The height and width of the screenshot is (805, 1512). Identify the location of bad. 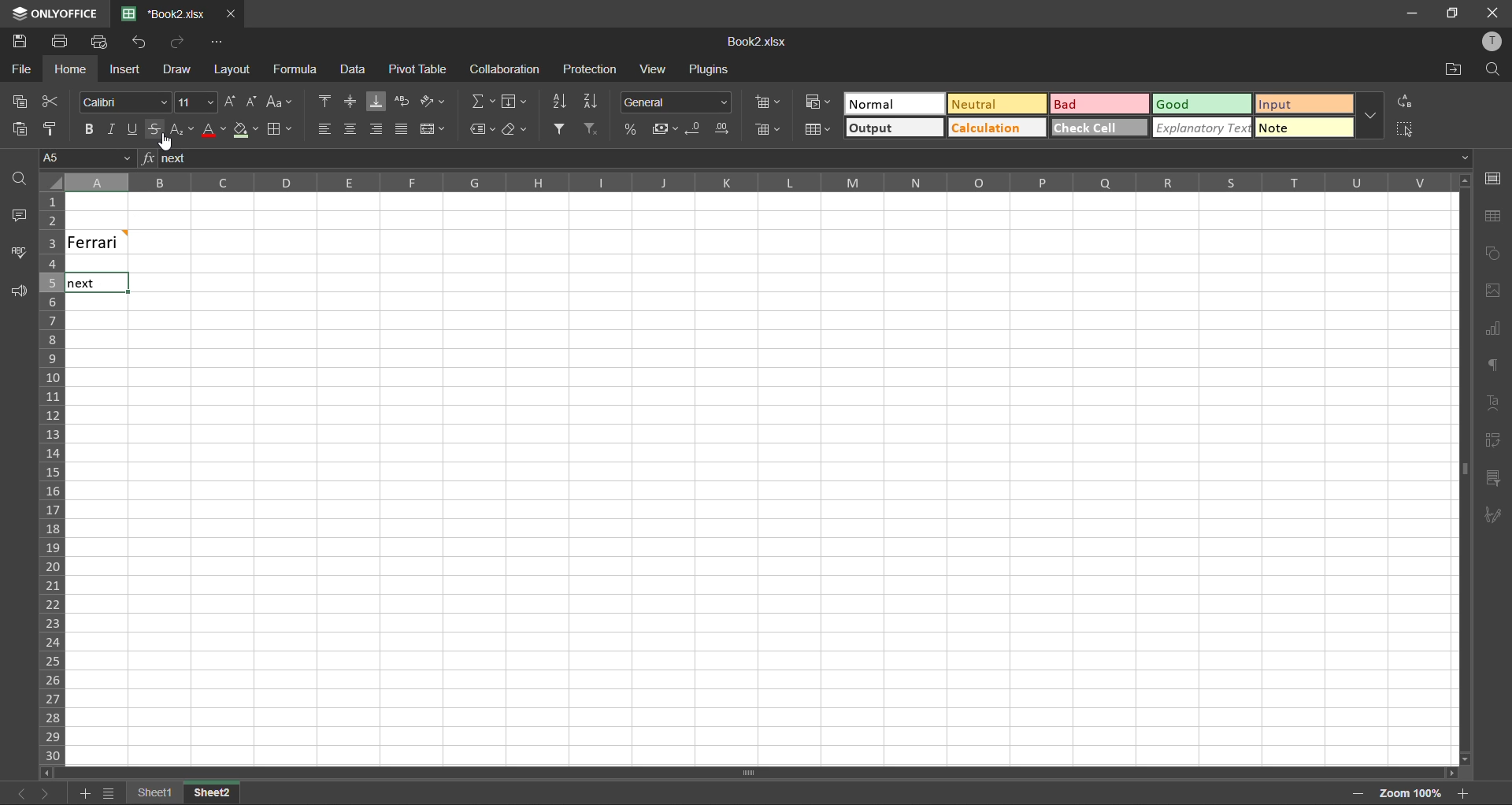
(1096, 103).